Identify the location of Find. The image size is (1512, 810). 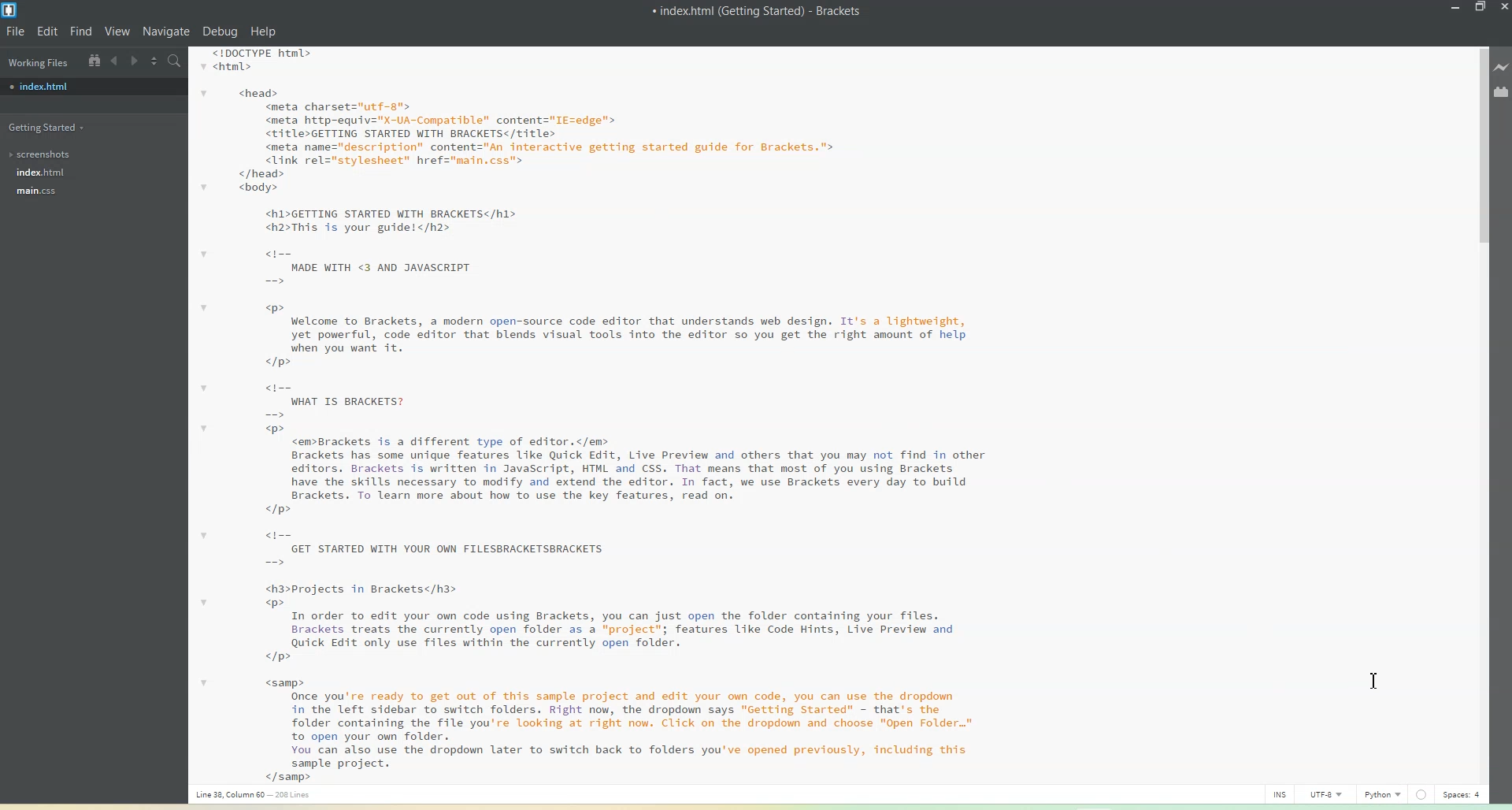
(81, 32).